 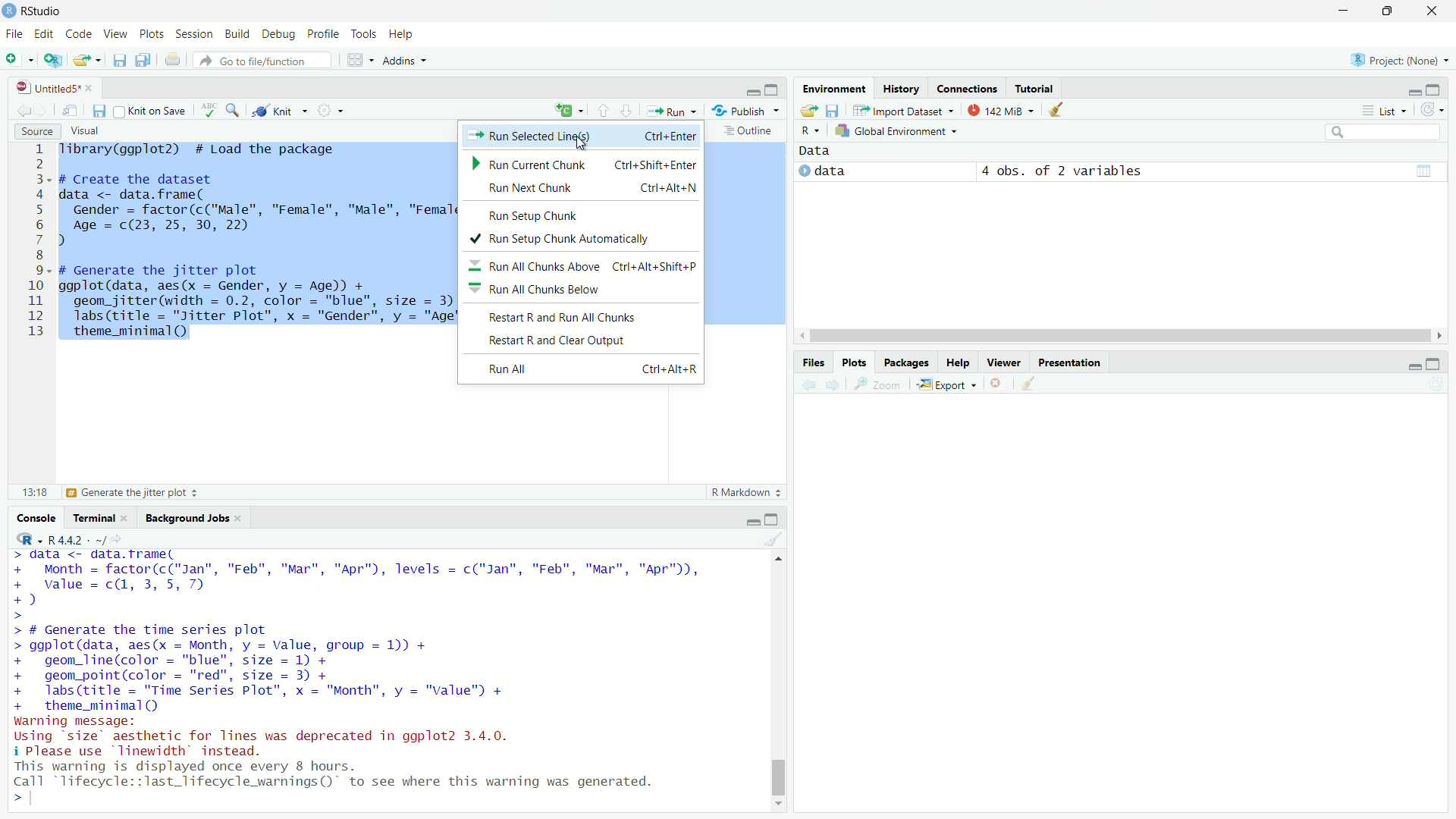 I want to click on run selected line(s), so click(x=581, y=136).